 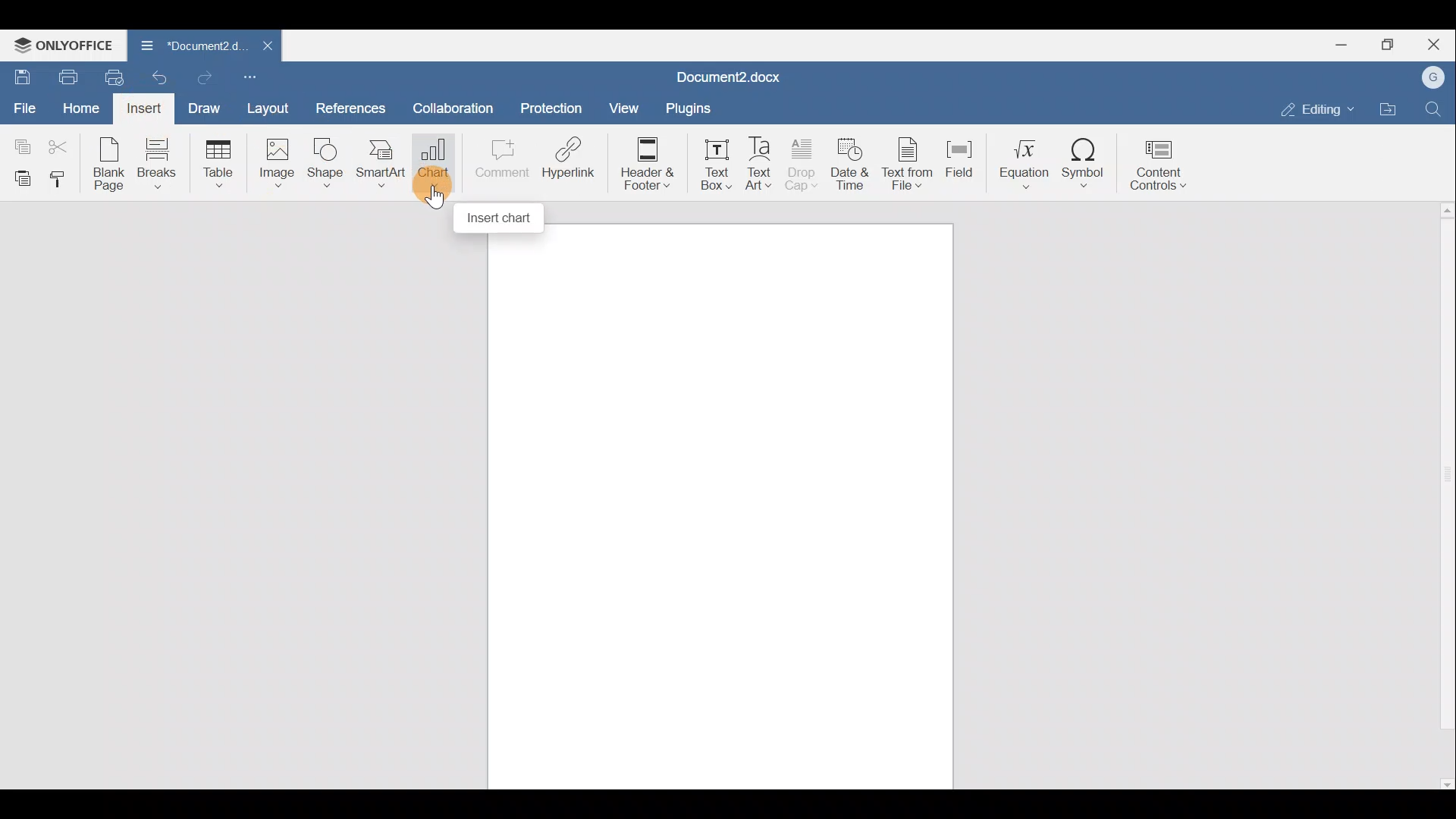 What do you see at coordinates (647, 162) in the screenshot?
I see `Header & footer` at bounding box center [647, 162].